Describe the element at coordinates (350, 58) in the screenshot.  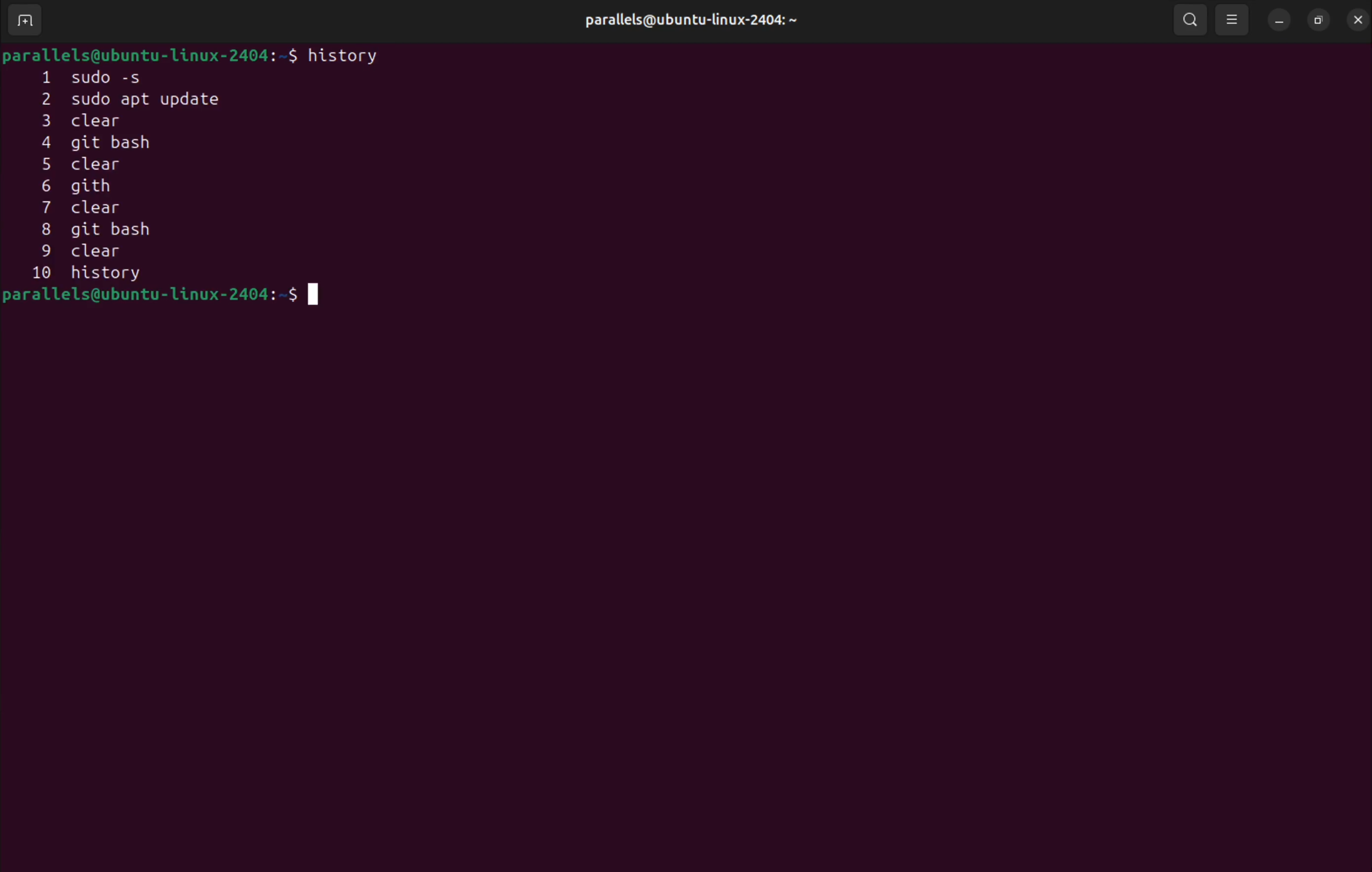
I see `history` at that location.